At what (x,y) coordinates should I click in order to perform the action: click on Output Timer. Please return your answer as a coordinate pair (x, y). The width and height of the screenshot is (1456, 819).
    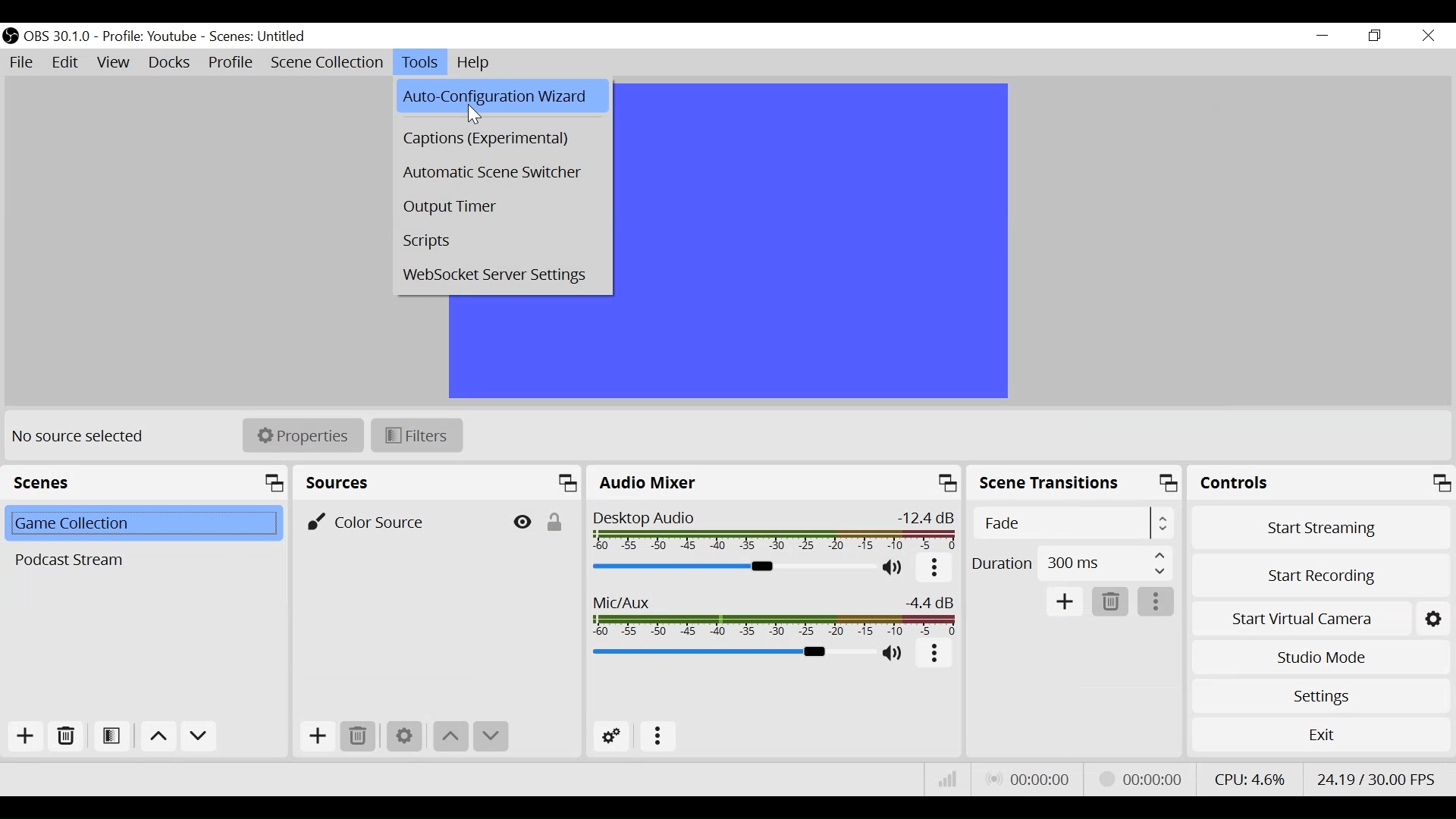
    Looking at the image, I should click on (497, 209).